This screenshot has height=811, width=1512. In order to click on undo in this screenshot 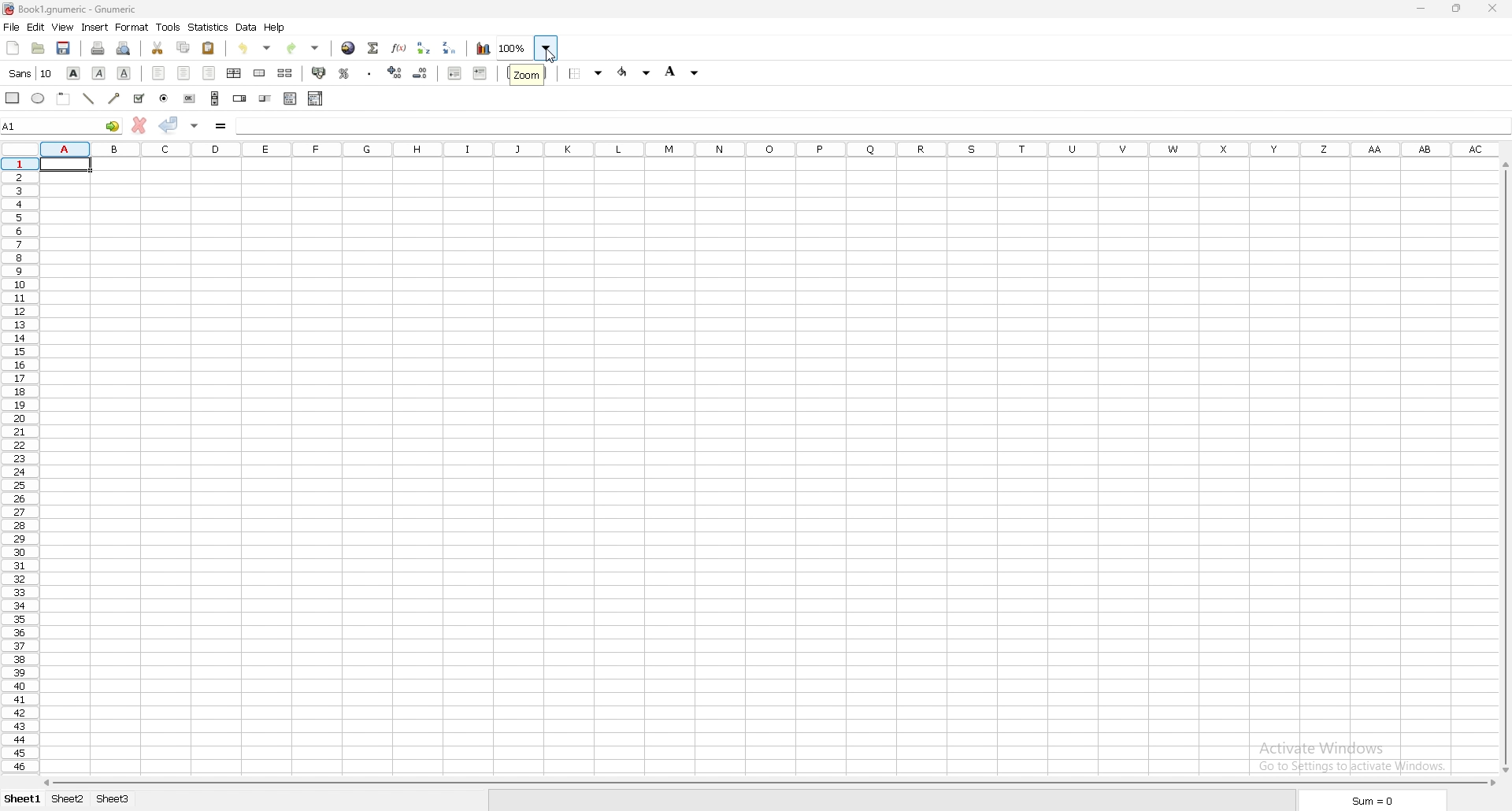, I will do `click(243, 48)`.